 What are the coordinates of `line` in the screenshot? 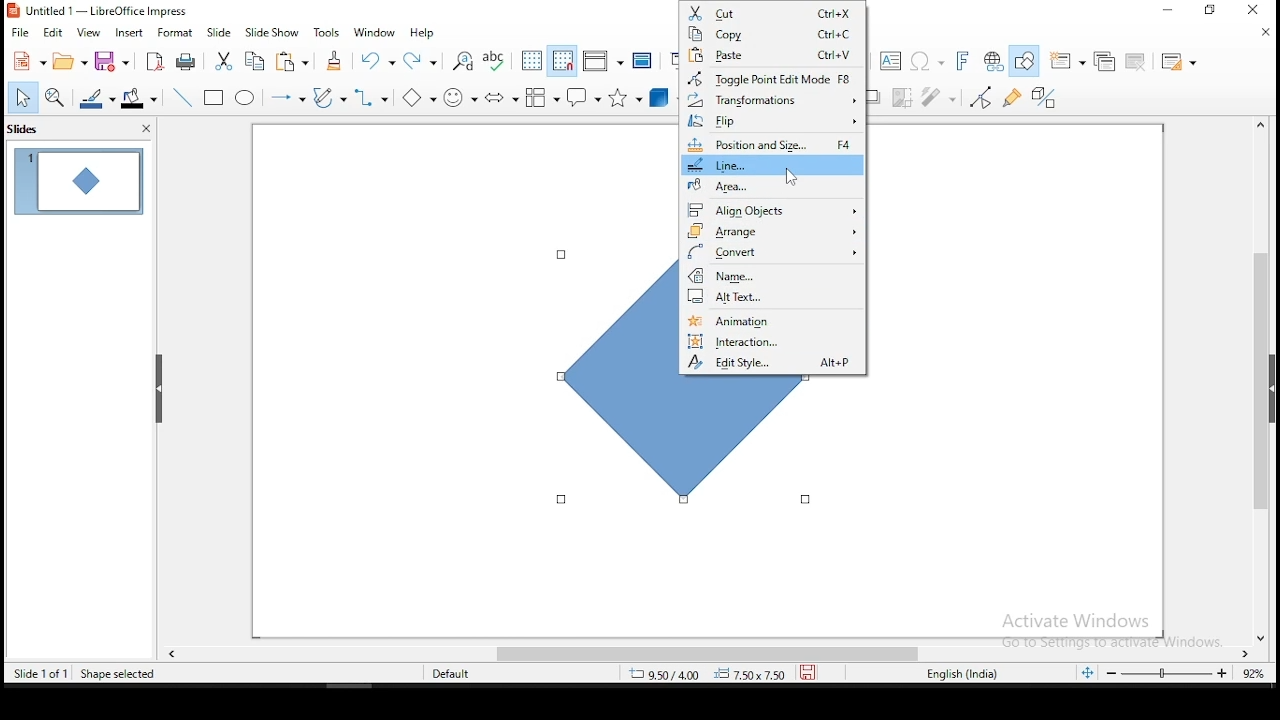 It's located at (183, 97).